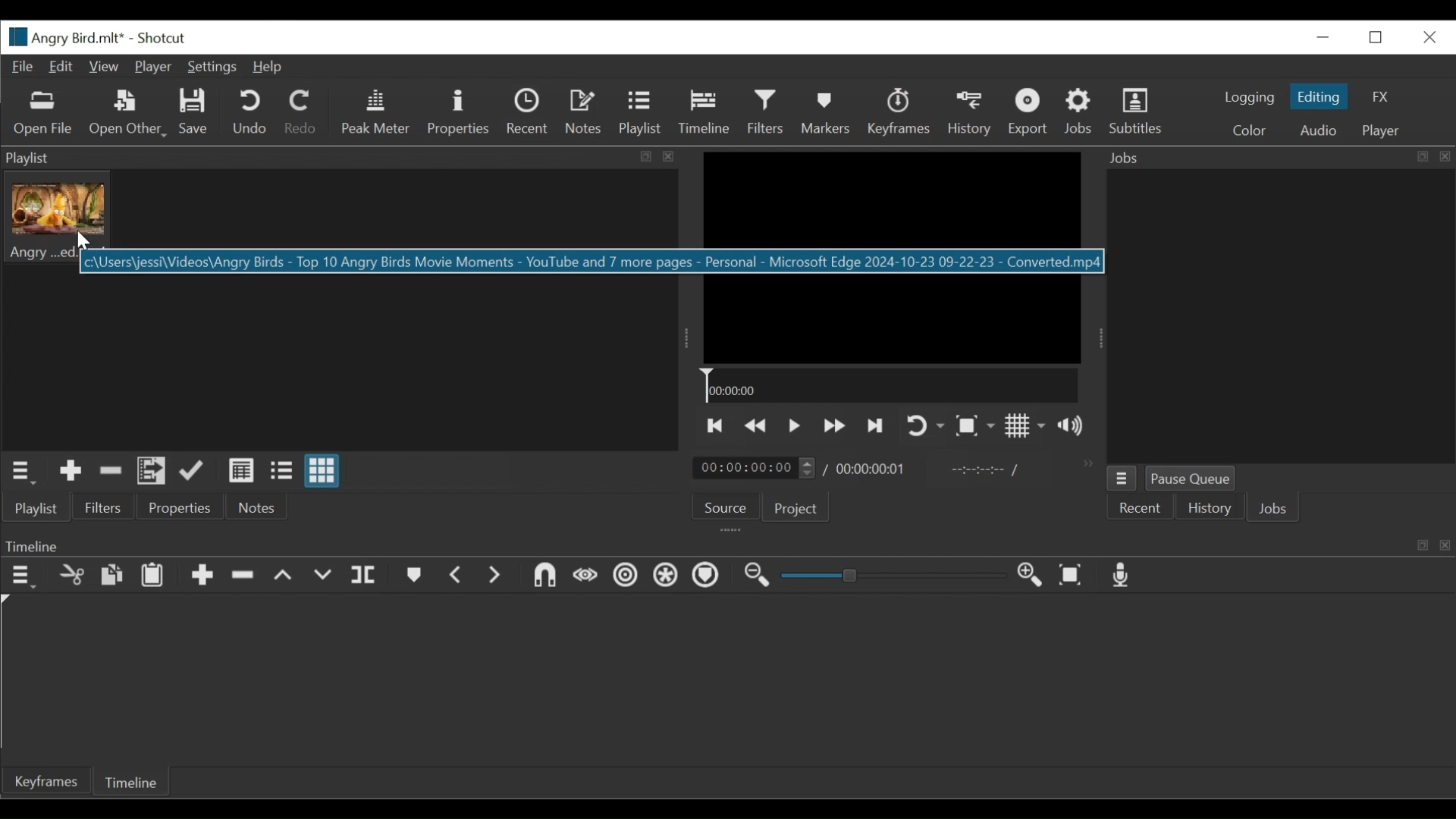 The width and height of the screenshot is (1456, 819). I want to click on Zoom slider, so click(896, 575).